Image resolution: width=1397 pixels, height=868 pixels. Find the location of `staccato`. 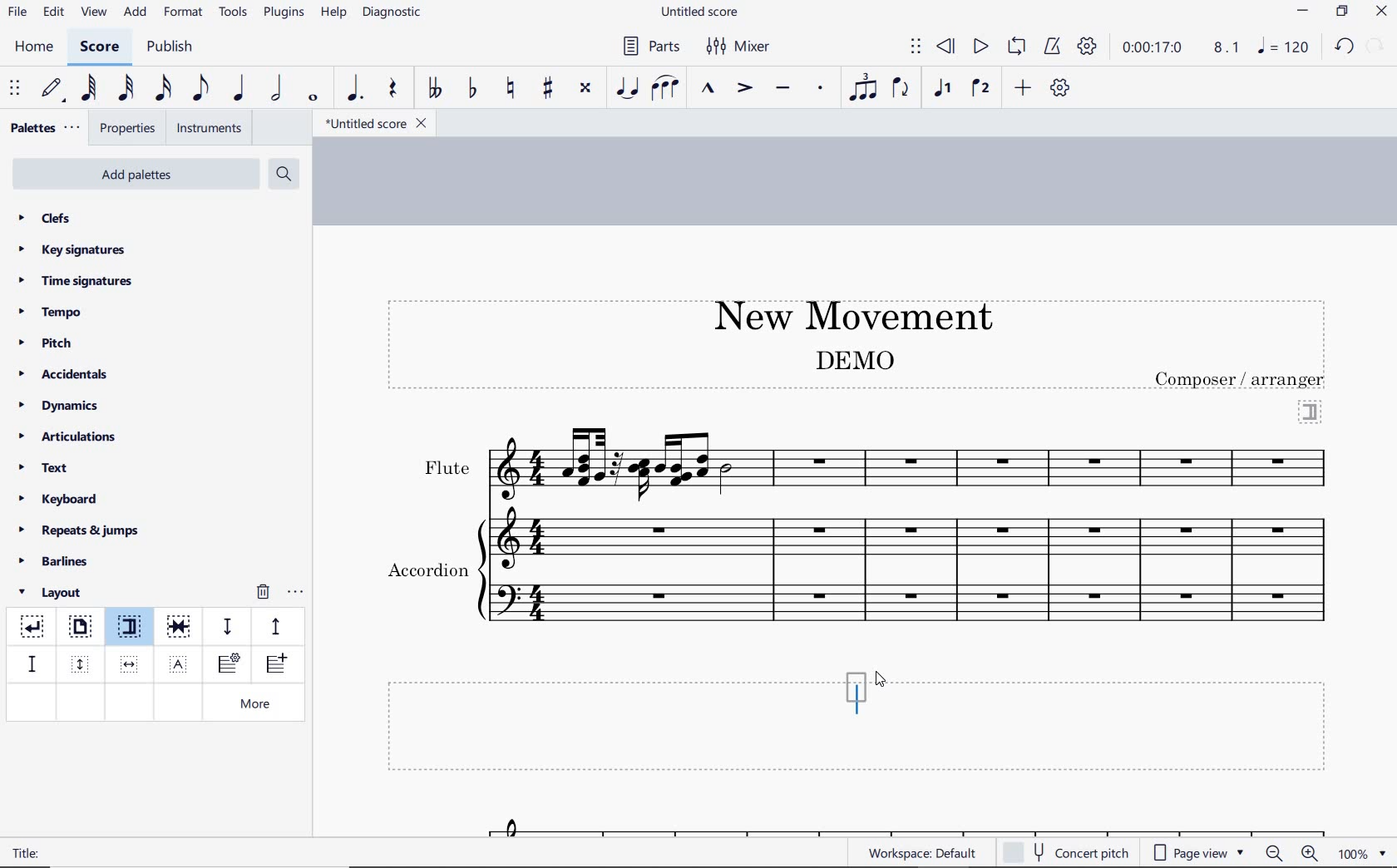

staccato is located at coordinates (821, 88).